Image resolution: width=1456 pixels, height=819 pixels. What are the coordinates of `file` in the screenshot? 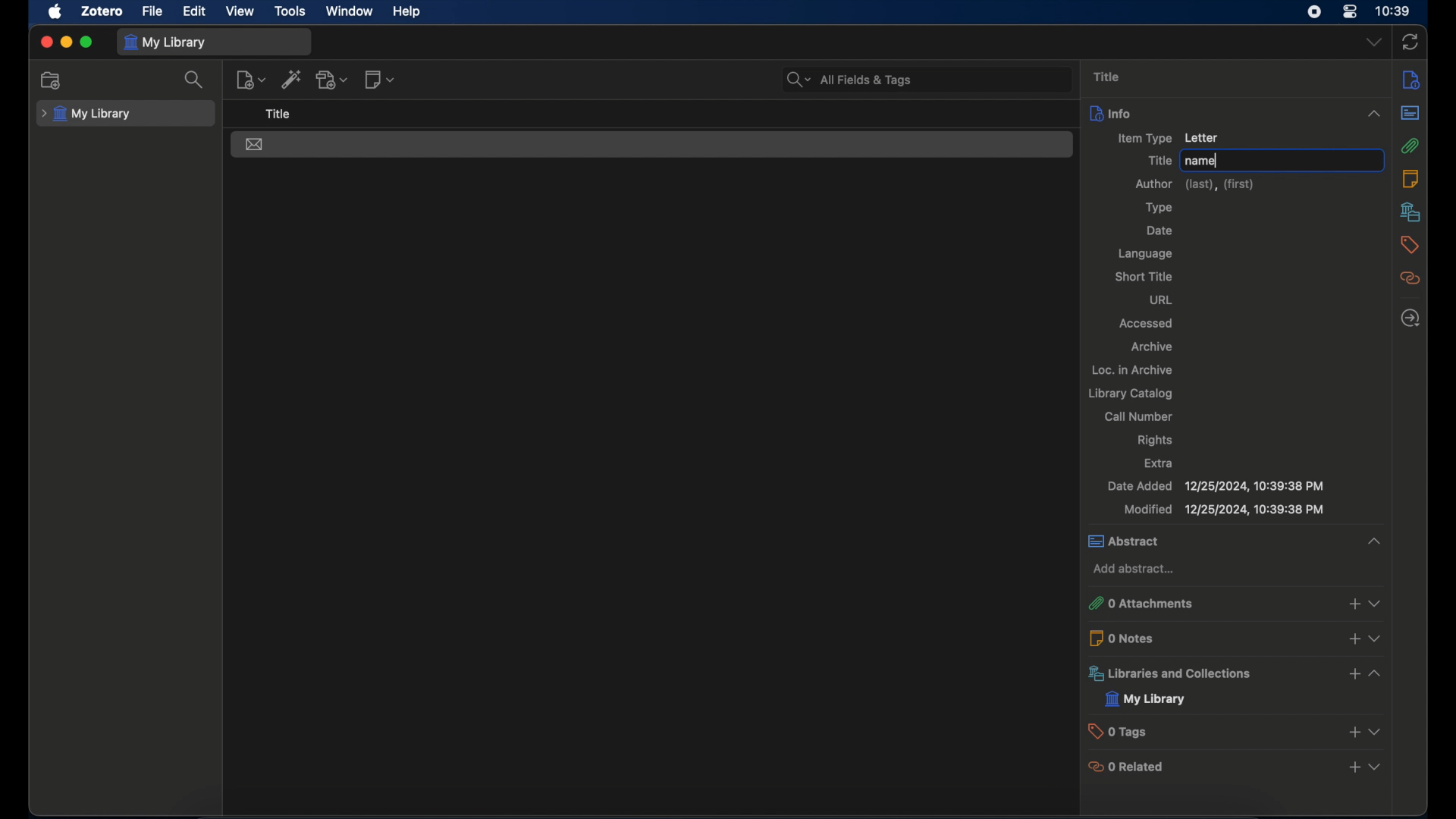 It's located at (153, 11).